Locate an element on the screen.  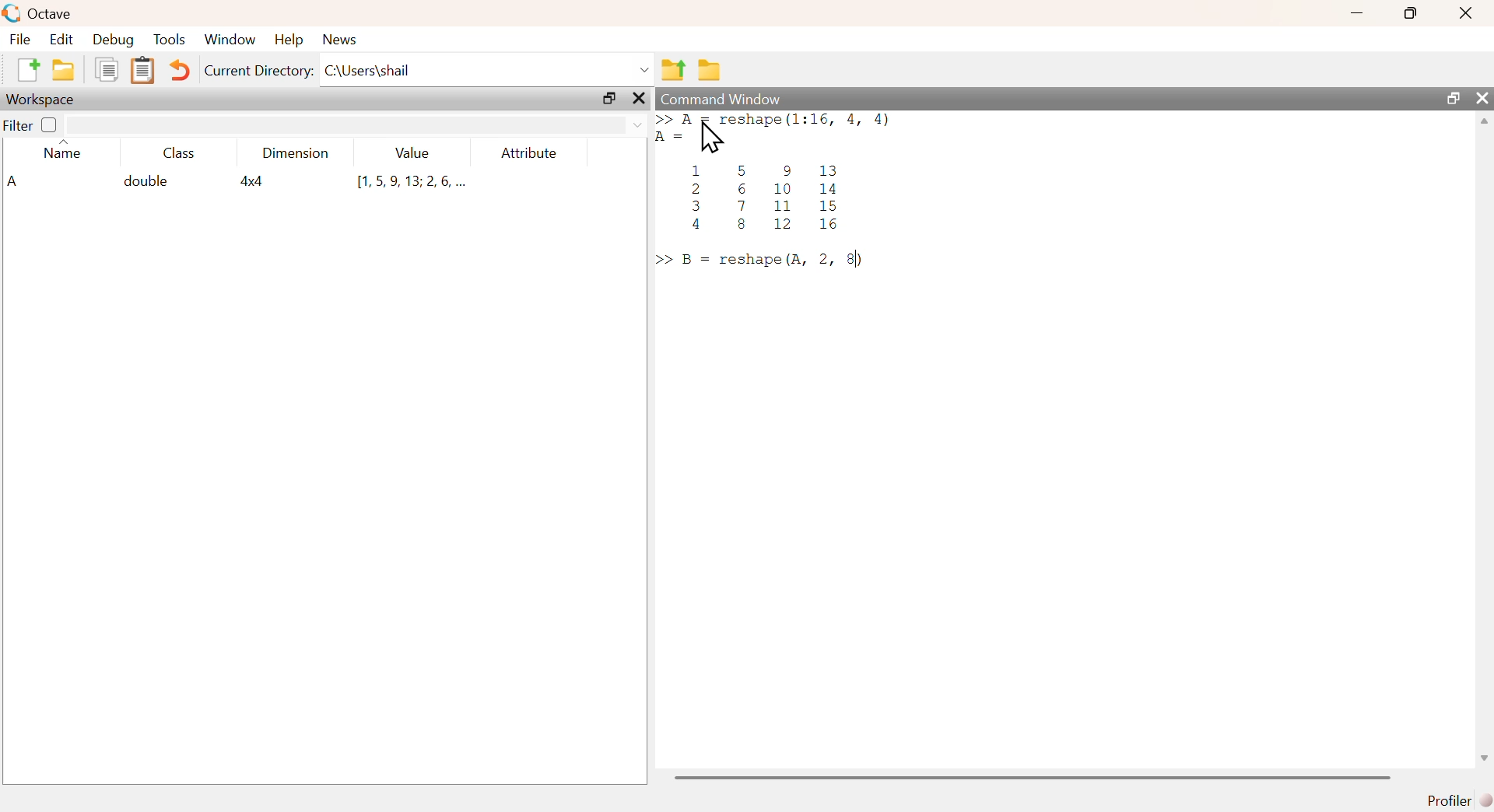
A is located at coordinates (15, 180).